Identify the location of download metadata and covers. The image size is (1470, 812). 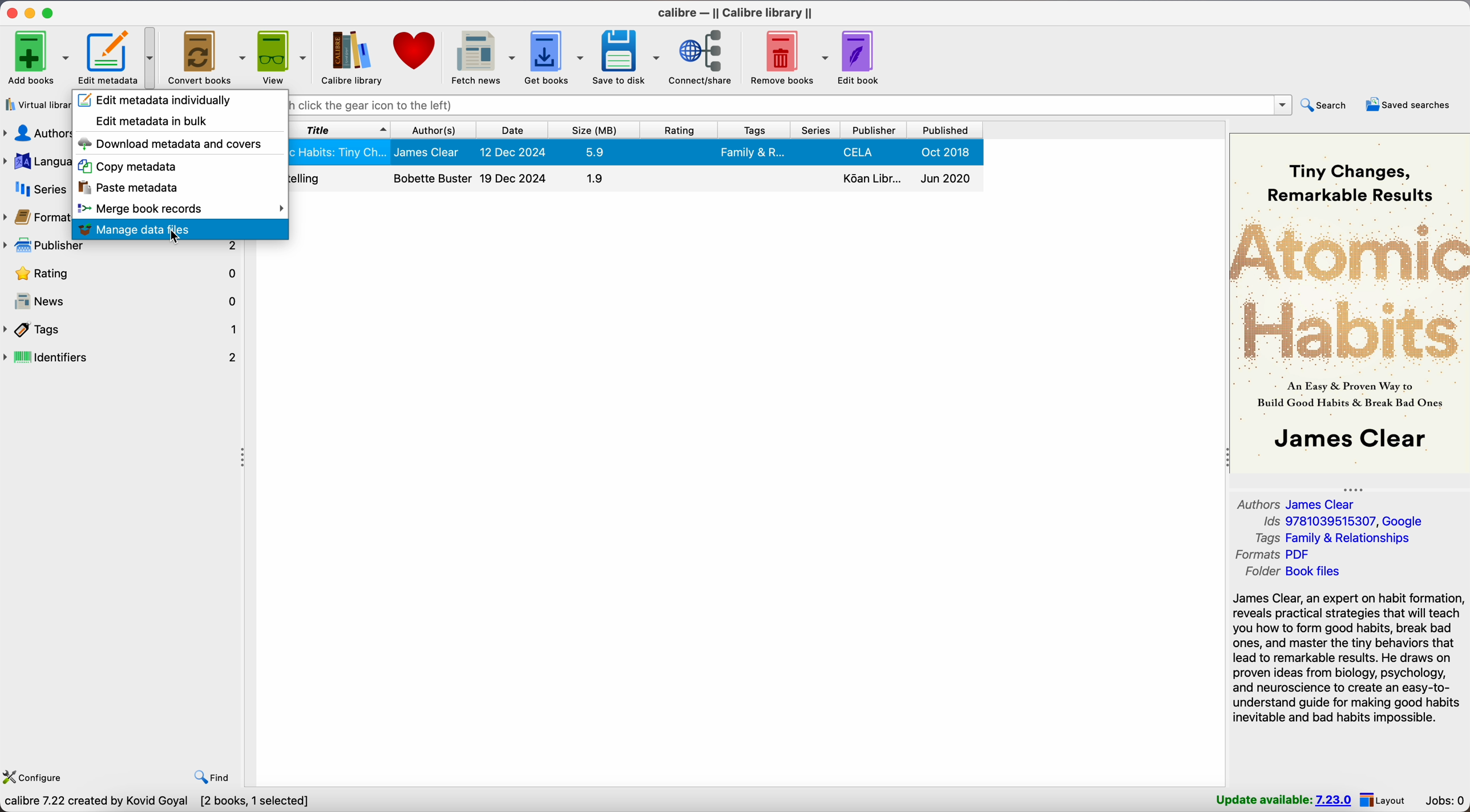
(169, 144).